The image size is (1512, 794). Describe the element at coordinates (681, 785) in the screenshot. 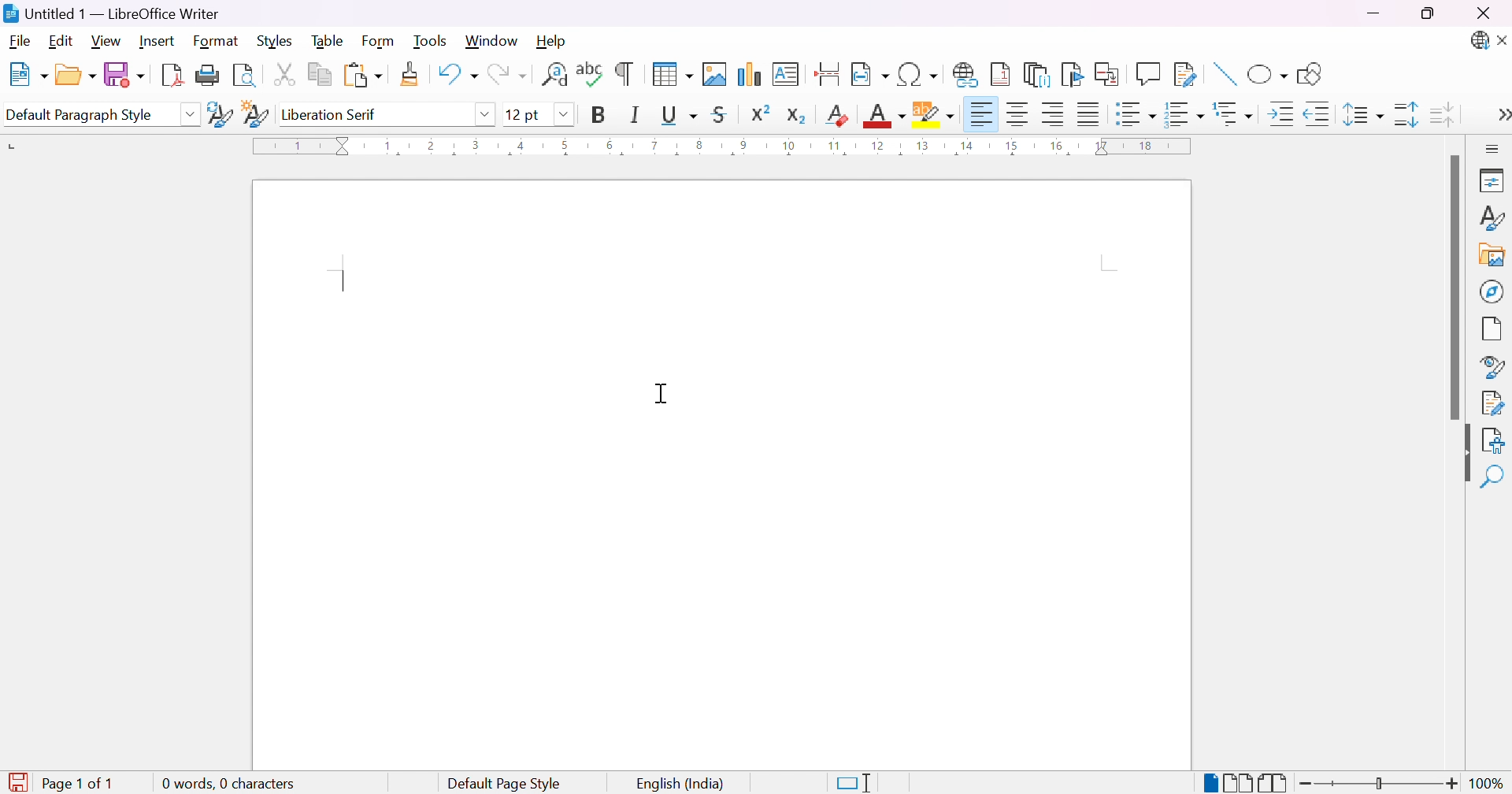

I see `English (India)` at that location.